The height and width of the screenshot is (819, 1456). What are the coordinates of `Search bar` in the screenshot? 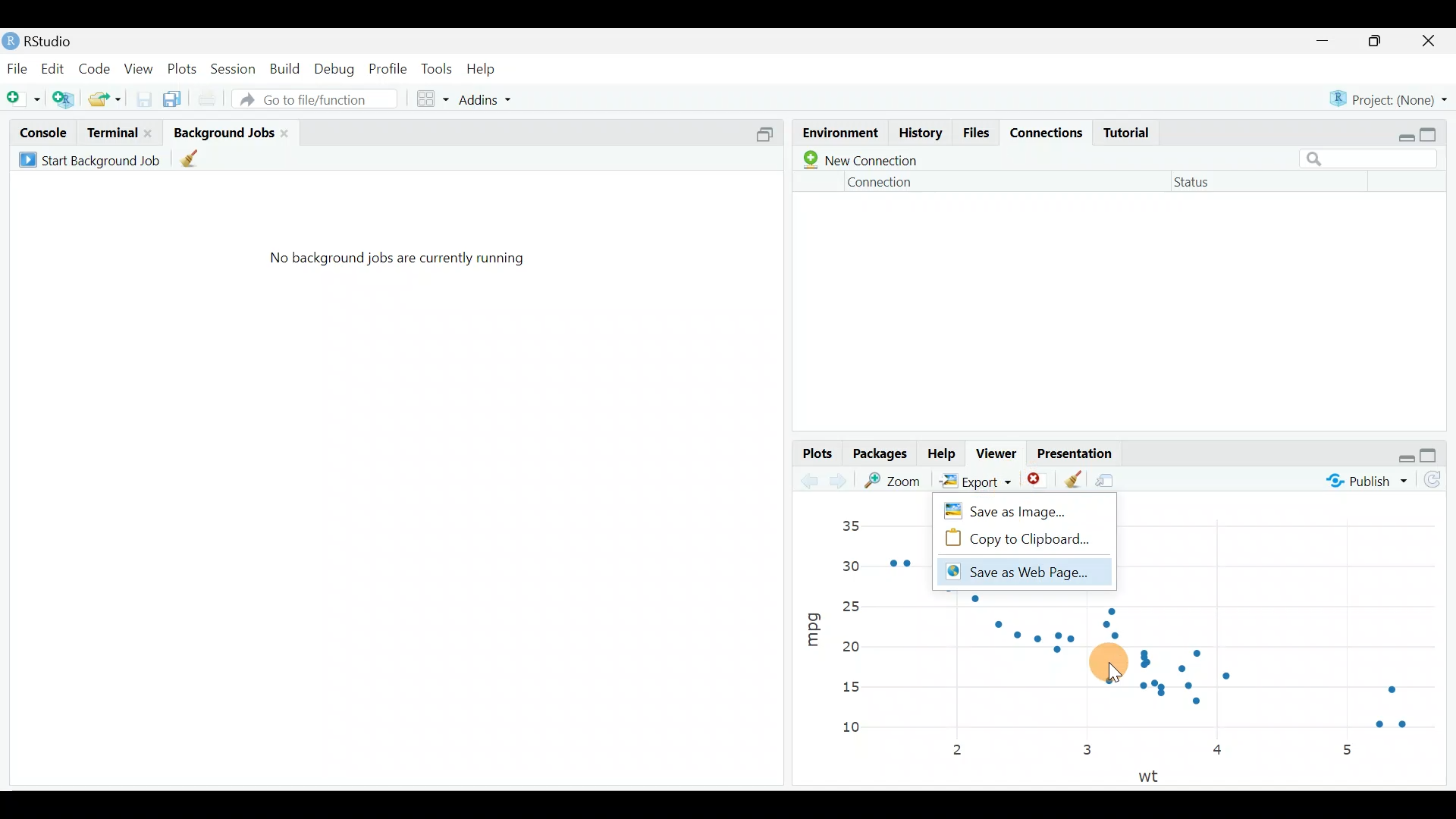 It's located at (1374, 157).